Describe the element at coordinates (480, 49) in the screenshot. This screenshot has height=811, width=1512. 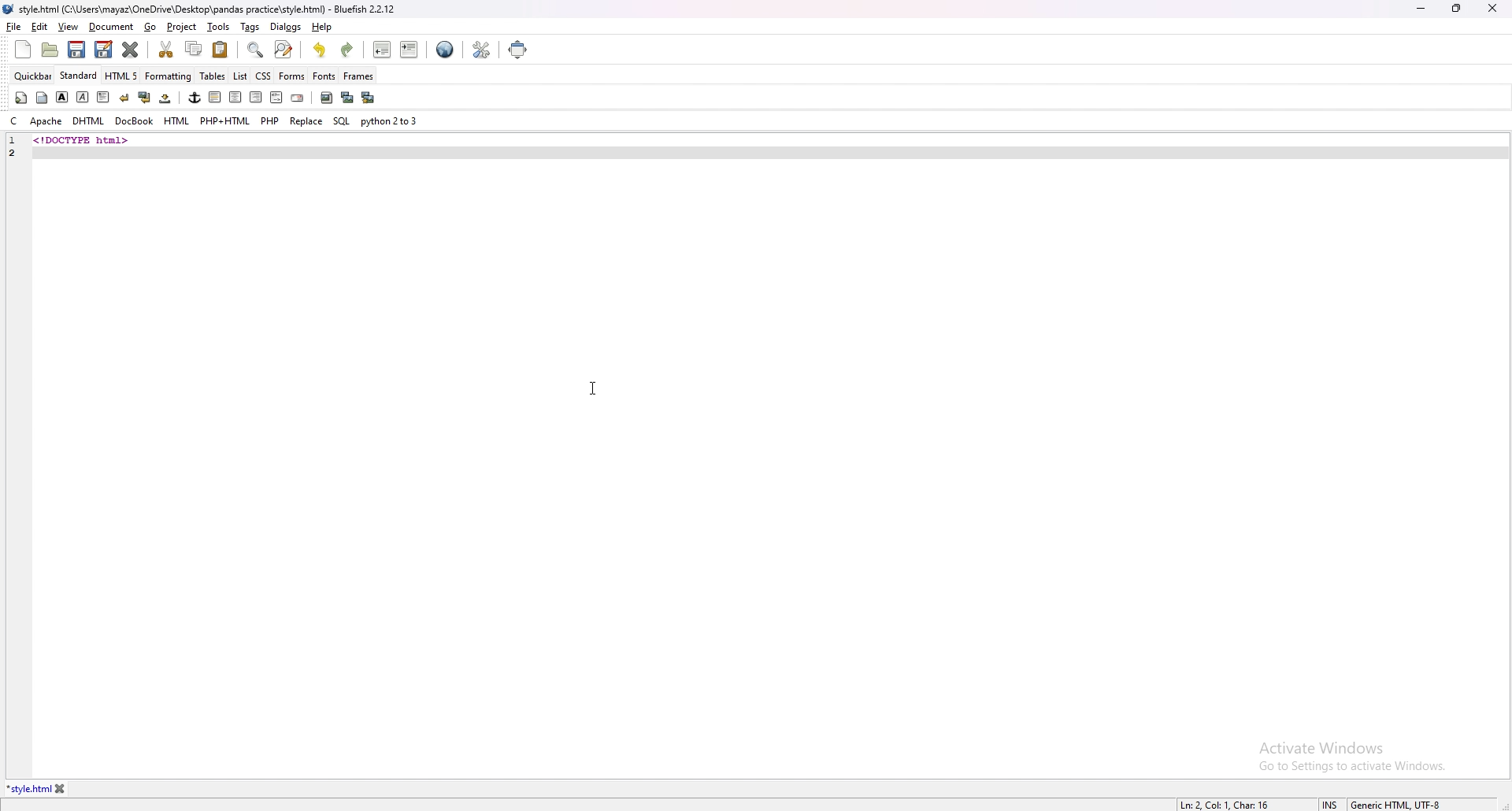
I see `edit preference` at that location.